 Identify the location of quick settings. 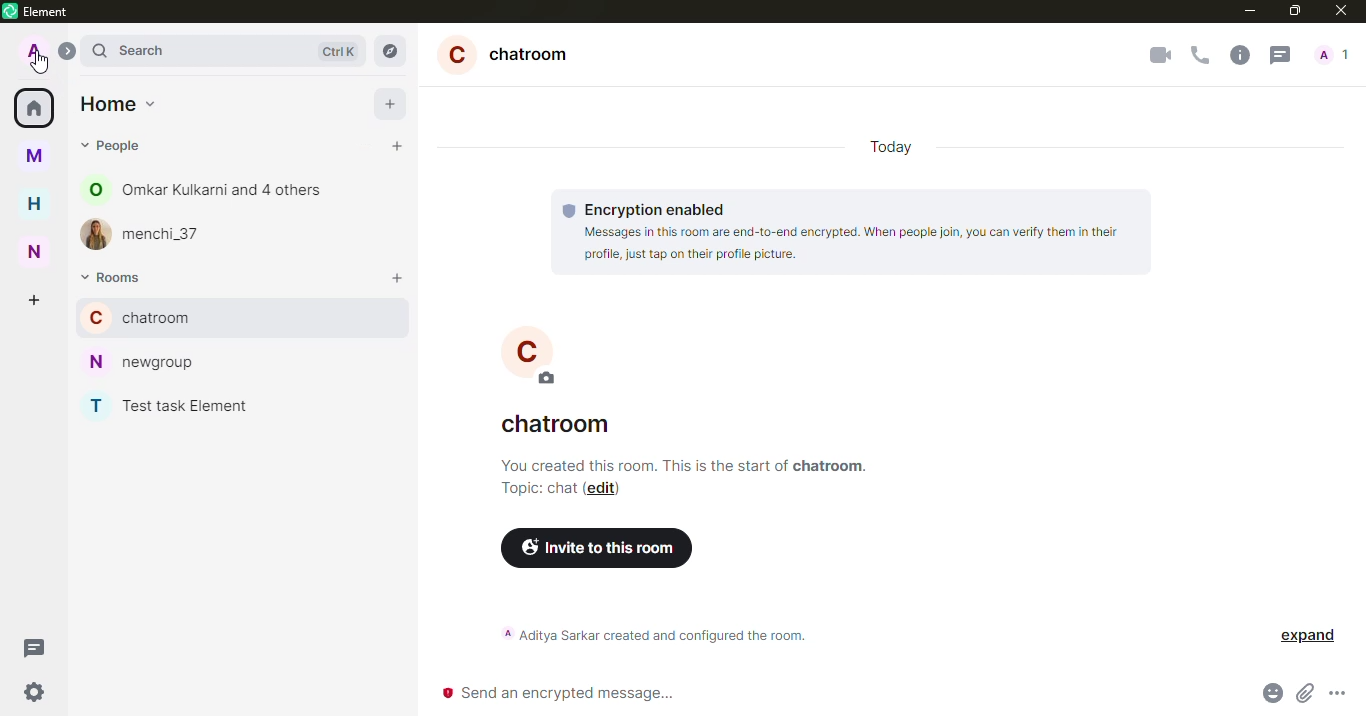
(31, 691).